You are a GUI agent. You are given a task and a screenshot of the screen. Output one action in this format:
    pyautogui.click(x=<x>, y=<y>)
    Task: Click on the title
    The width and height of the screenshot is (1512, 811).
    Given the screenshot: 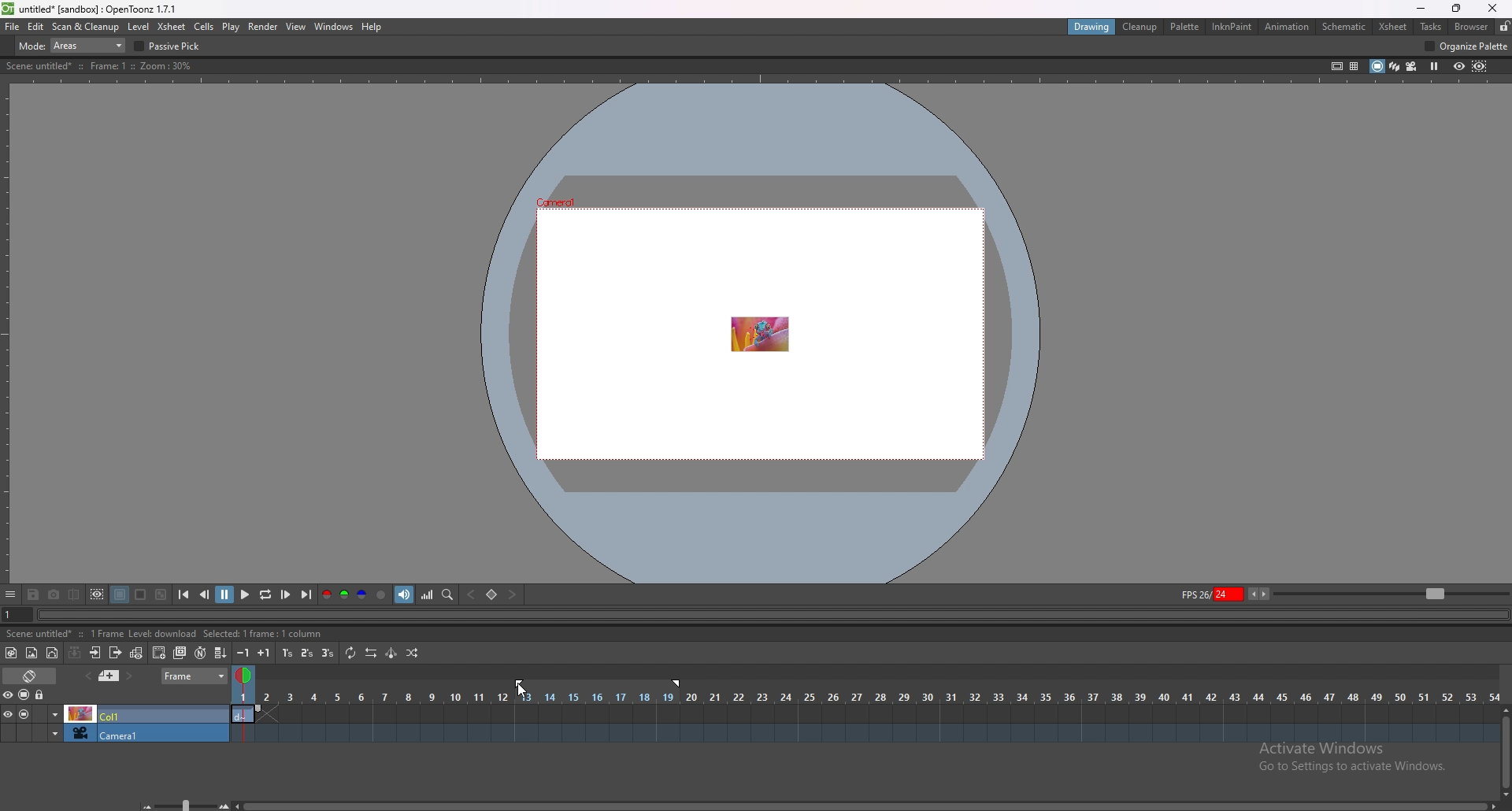 What is the action you would take?
    pyautogui.click(x=92, y=9)
    